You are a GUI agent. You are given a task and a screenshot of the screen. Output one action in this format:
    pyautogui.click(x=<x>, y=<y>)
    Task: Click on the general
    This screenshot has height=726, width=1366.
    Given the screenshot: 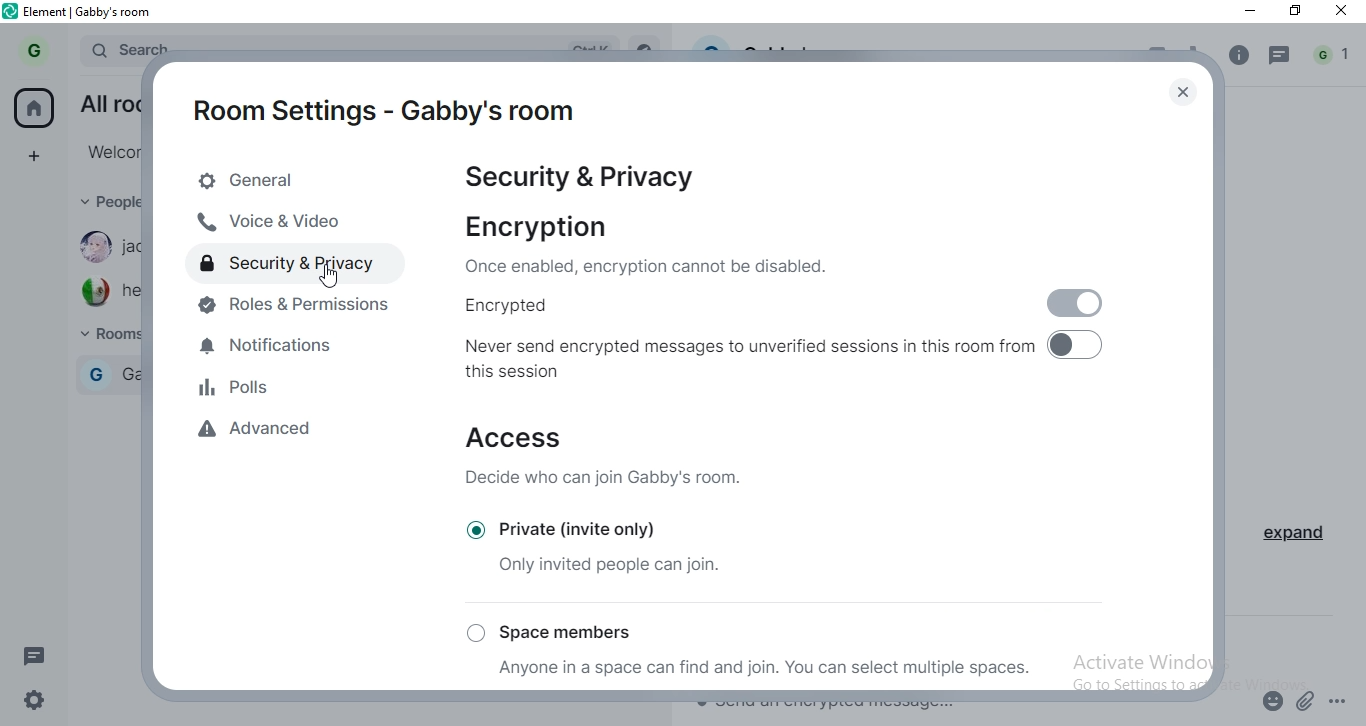 What is the action you would take?
    pyautogui.click(x=298, y=182)
    